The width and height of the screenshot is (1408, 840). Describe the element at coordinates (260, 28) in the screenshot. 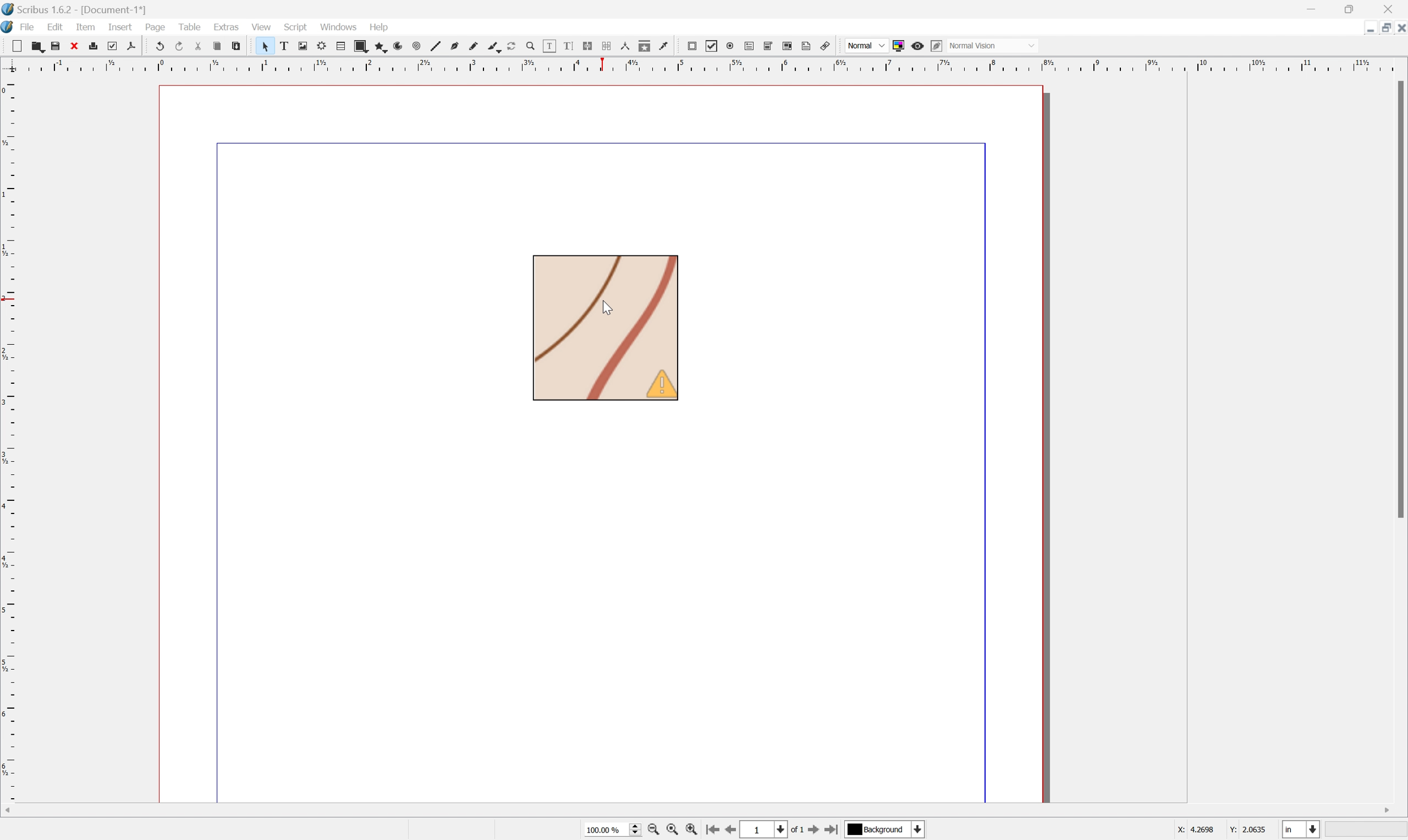

I see `View` at that location.